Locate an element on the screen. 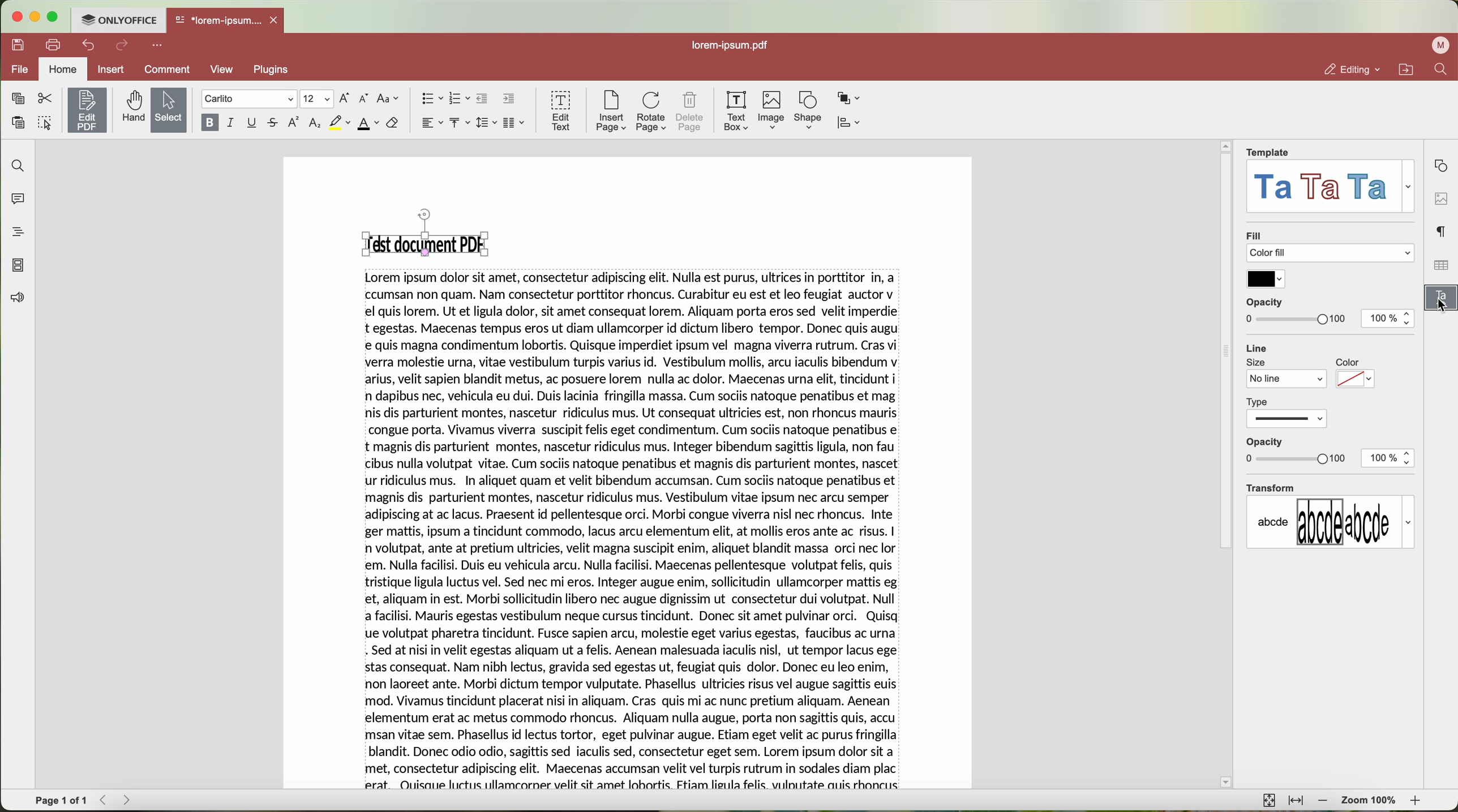 The width and height of the screenshot is (1458, 812). cursor is located at coordinates (1439, 308).